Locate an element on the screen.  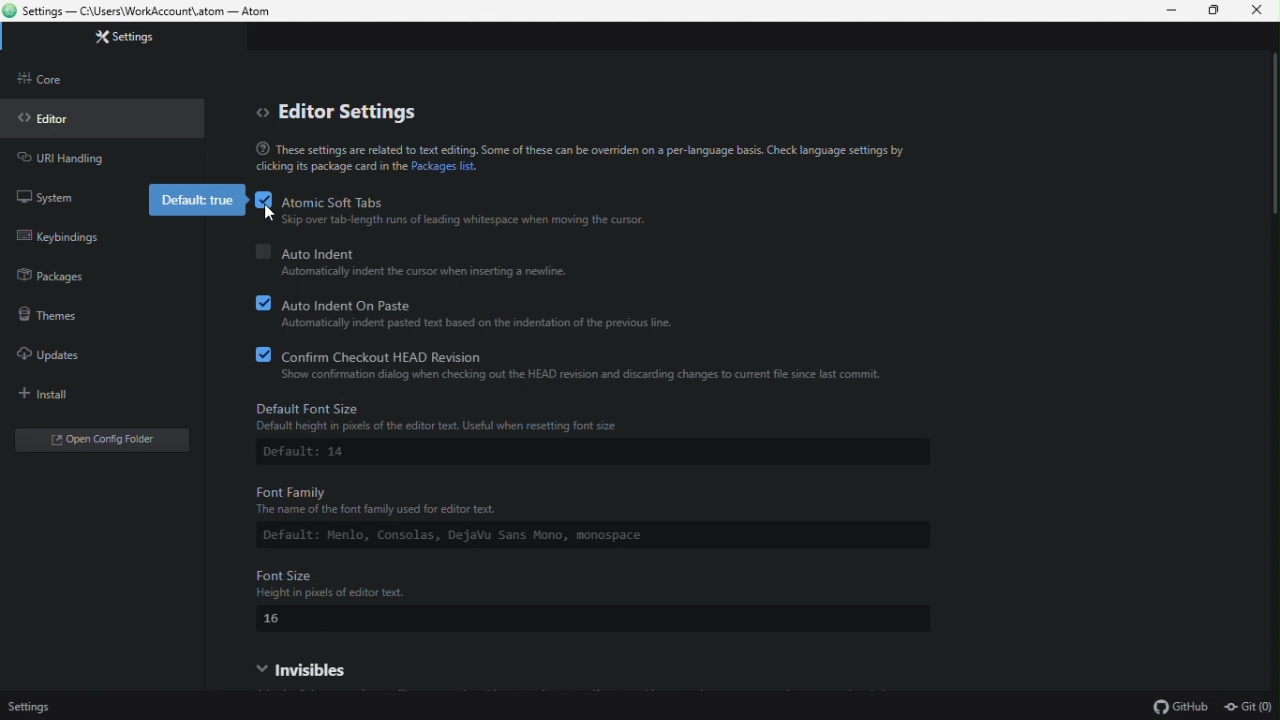
Auto indent on paste is located at coordinates (503, 302).